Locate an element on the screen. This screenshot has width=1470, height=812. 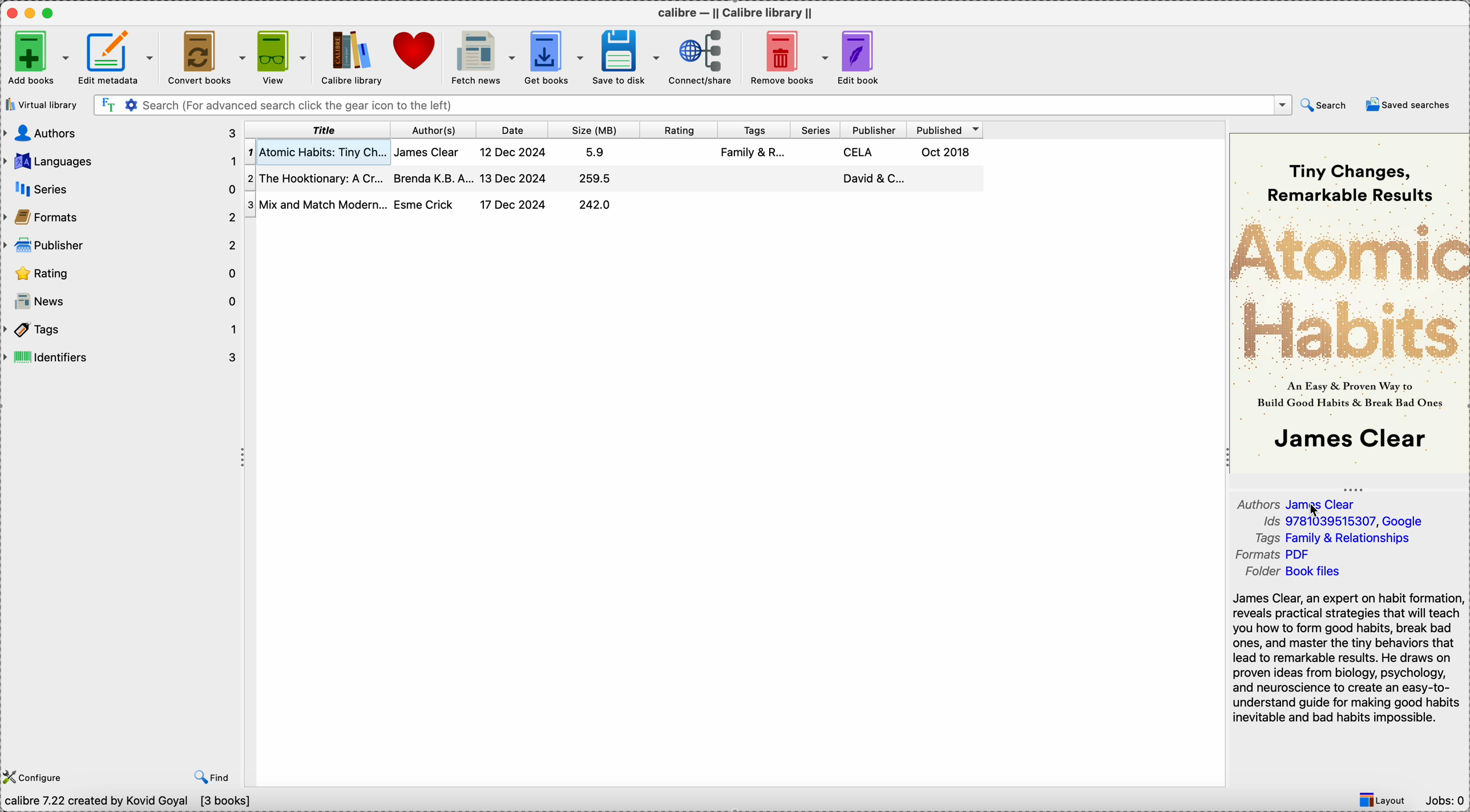
Tags Family & Relationships is located at coordinates (1330, 538).